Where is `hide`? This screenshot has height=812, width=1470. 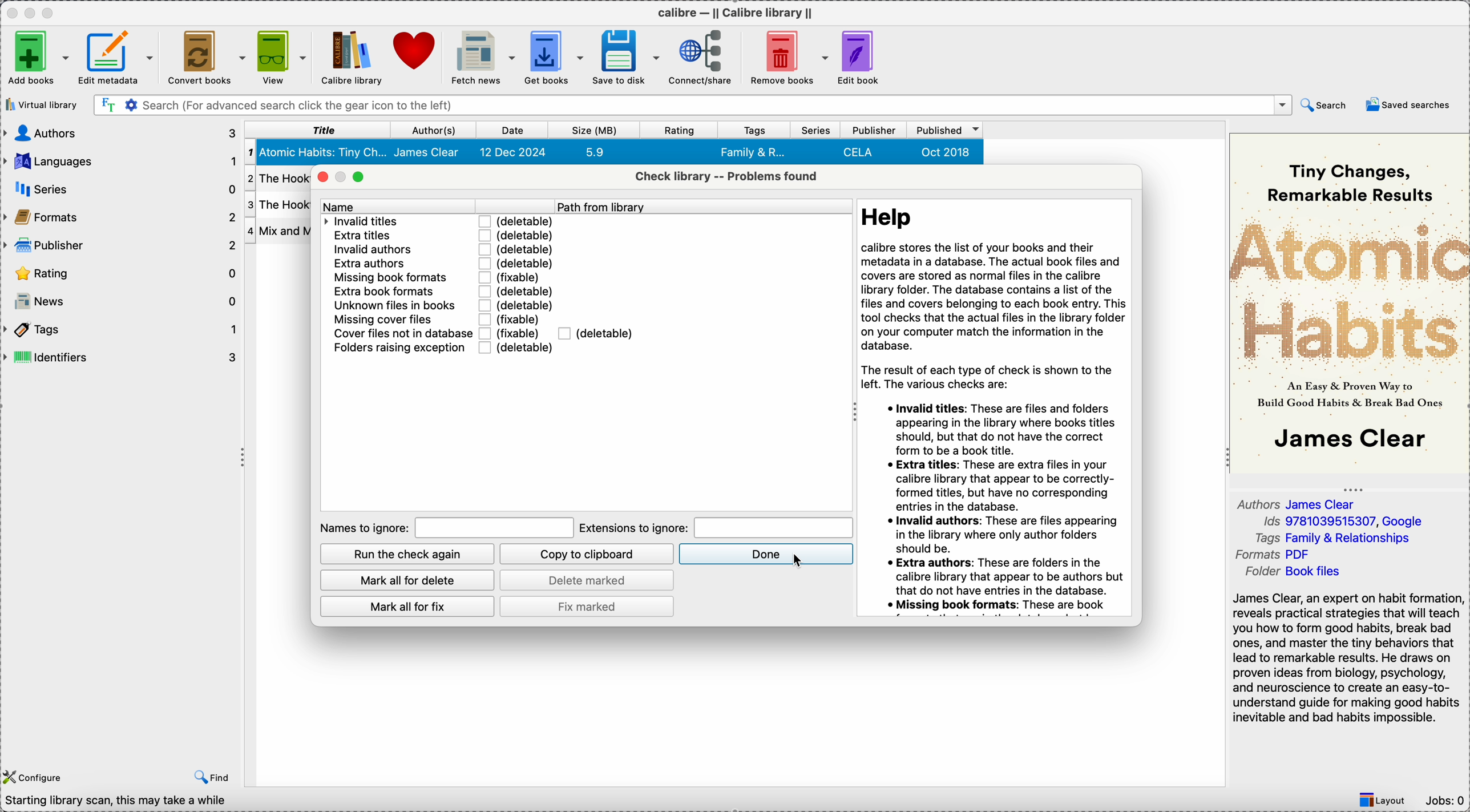 hide is located at coordinates (241, 458).